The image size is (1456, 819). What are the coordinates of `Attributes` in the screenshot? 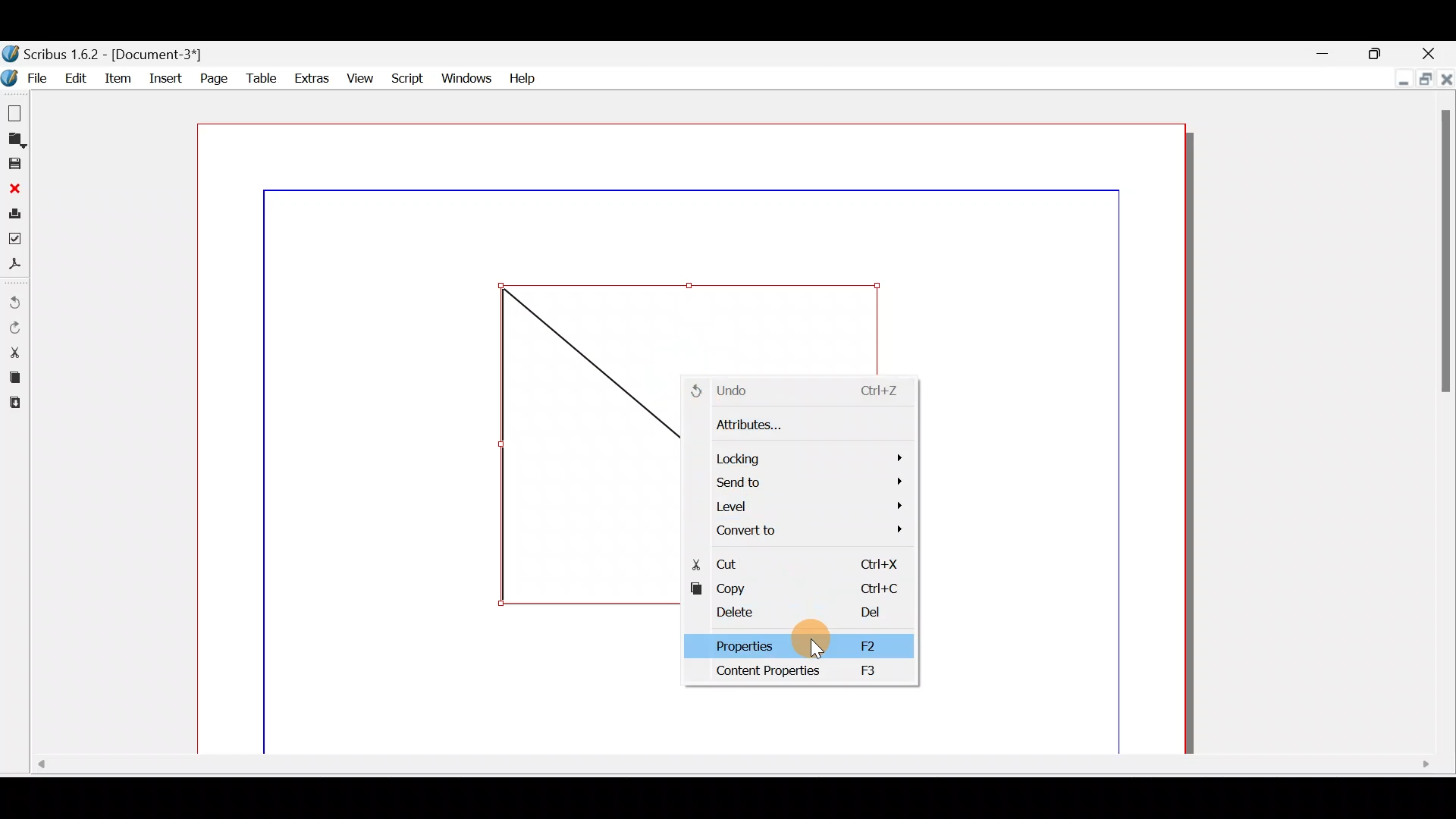 It's located at (795, 425).